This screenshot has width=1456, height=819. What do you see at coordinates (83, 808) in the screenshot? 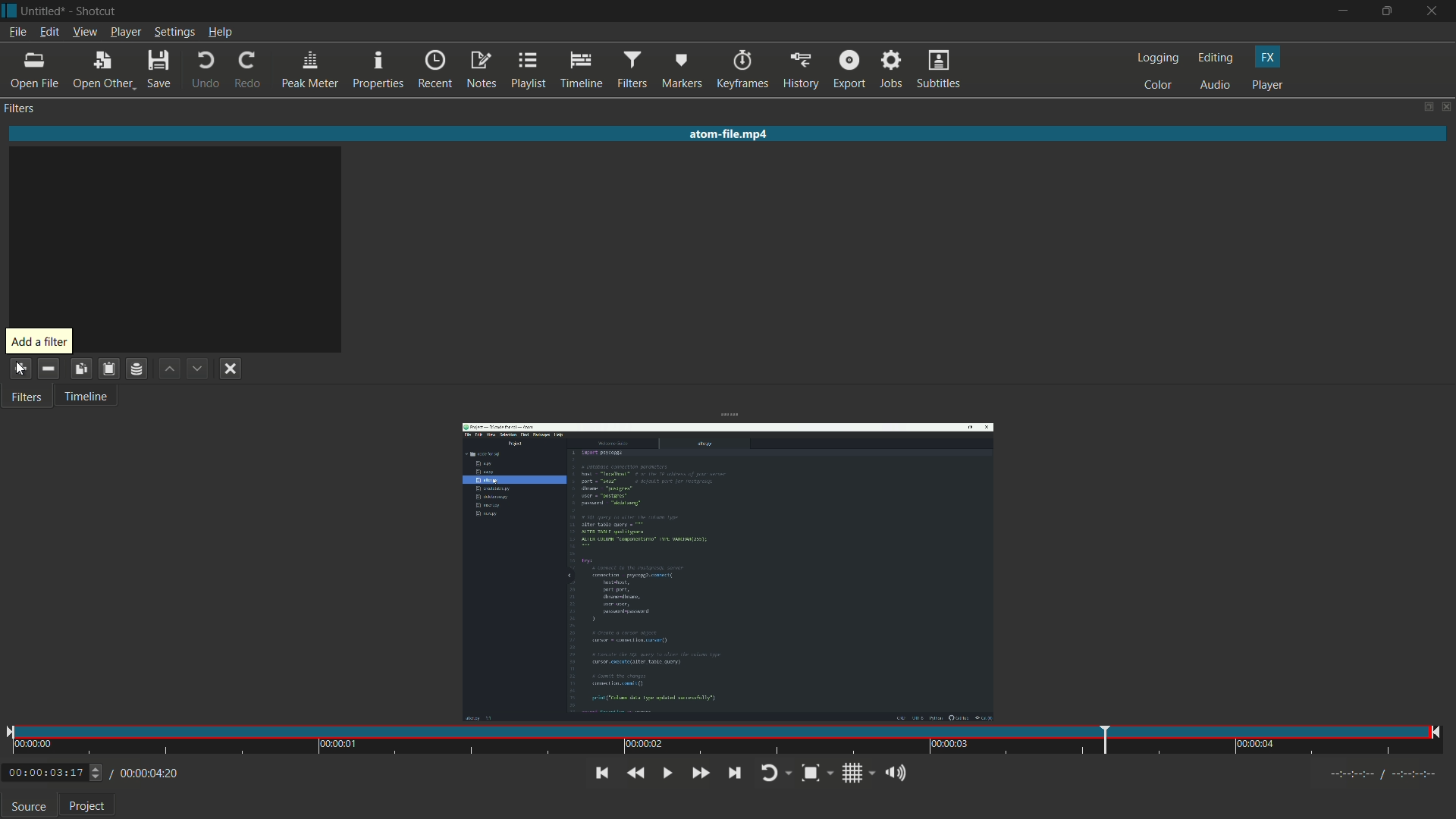
I see `project` at bounding box center [83, 808].